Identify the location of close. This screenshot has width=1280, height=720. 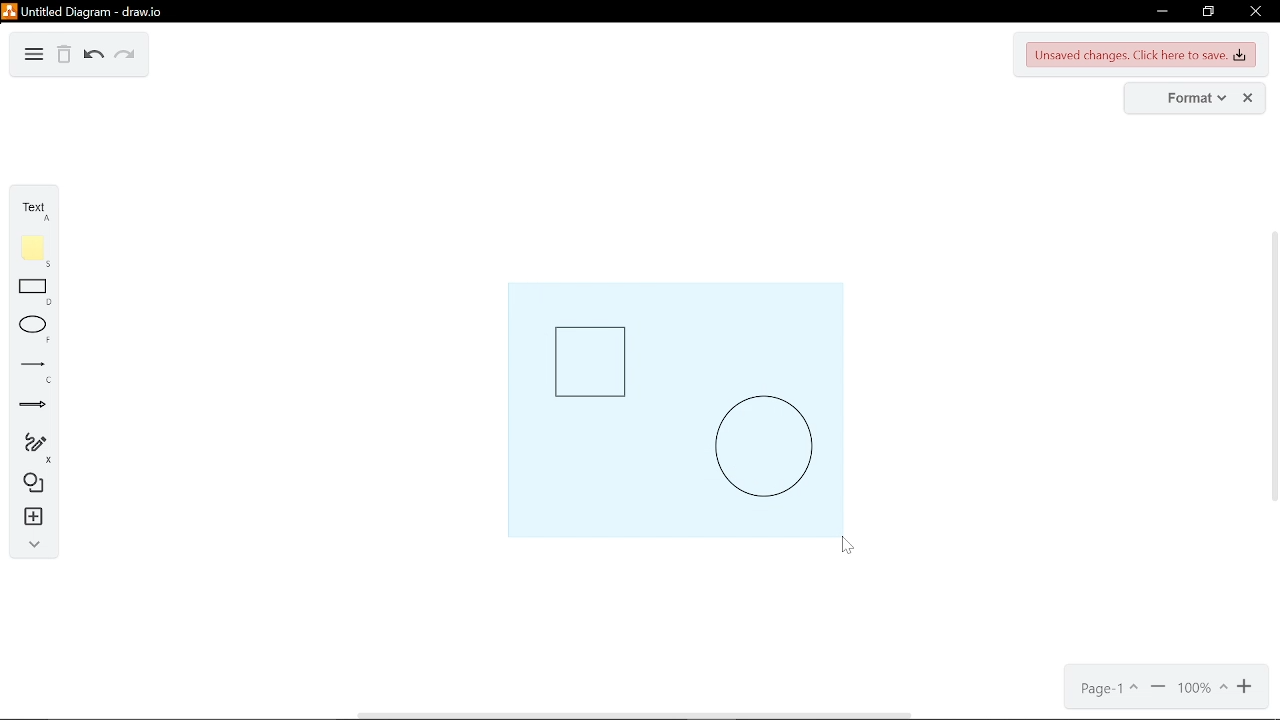
(1256, 11).